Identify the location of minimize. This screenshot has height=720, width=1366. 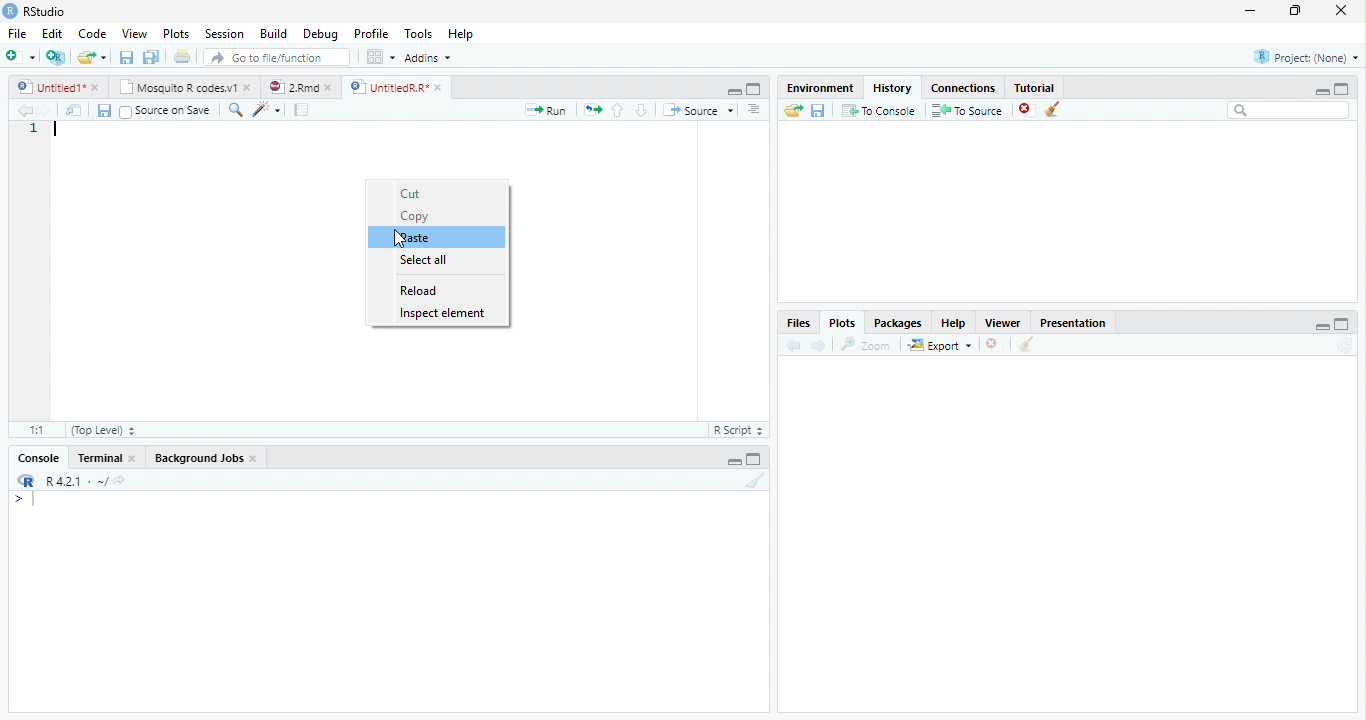
(1249, 12).